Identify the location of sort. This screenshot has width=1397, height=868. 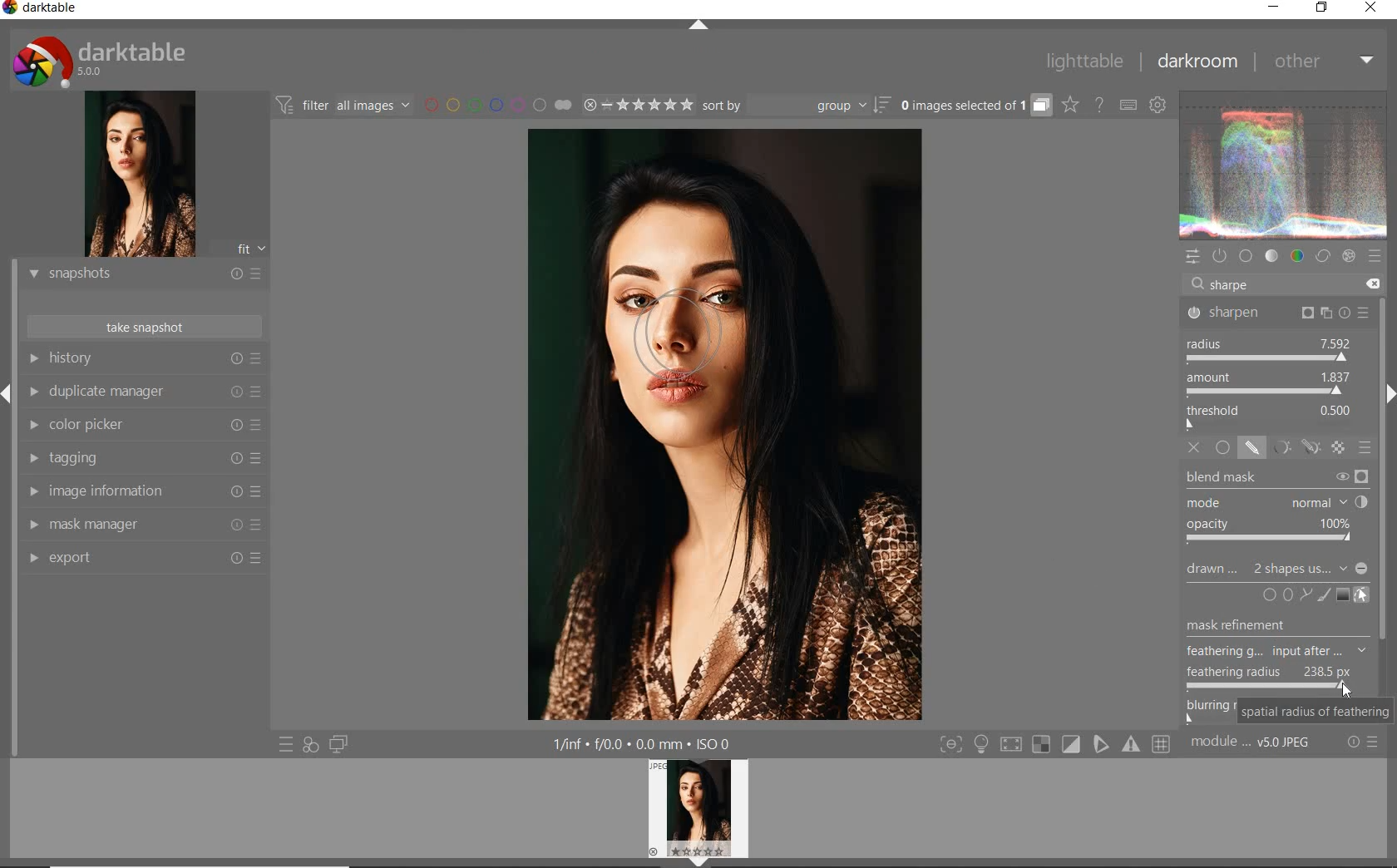
(795, 104).